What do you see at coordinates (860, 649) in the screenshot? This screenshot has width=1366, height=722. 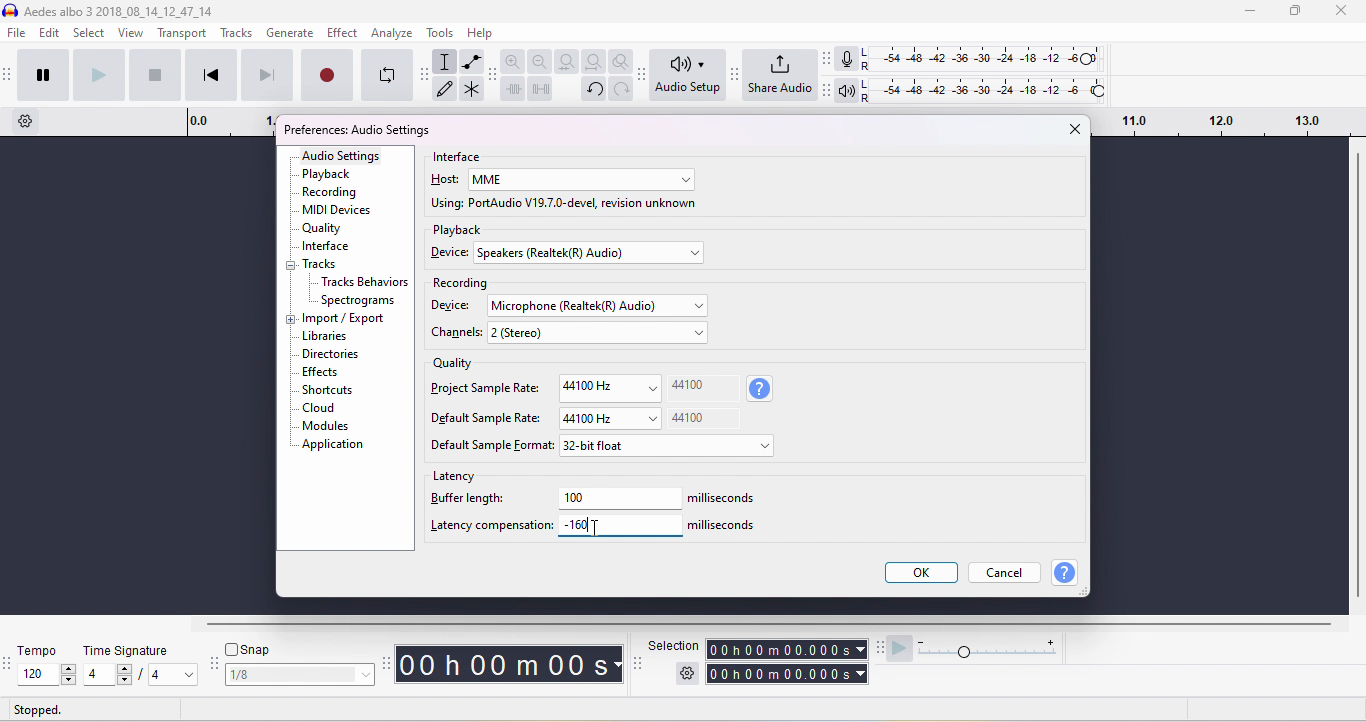 I see `select time parameter` at bounding box center [860, 649].